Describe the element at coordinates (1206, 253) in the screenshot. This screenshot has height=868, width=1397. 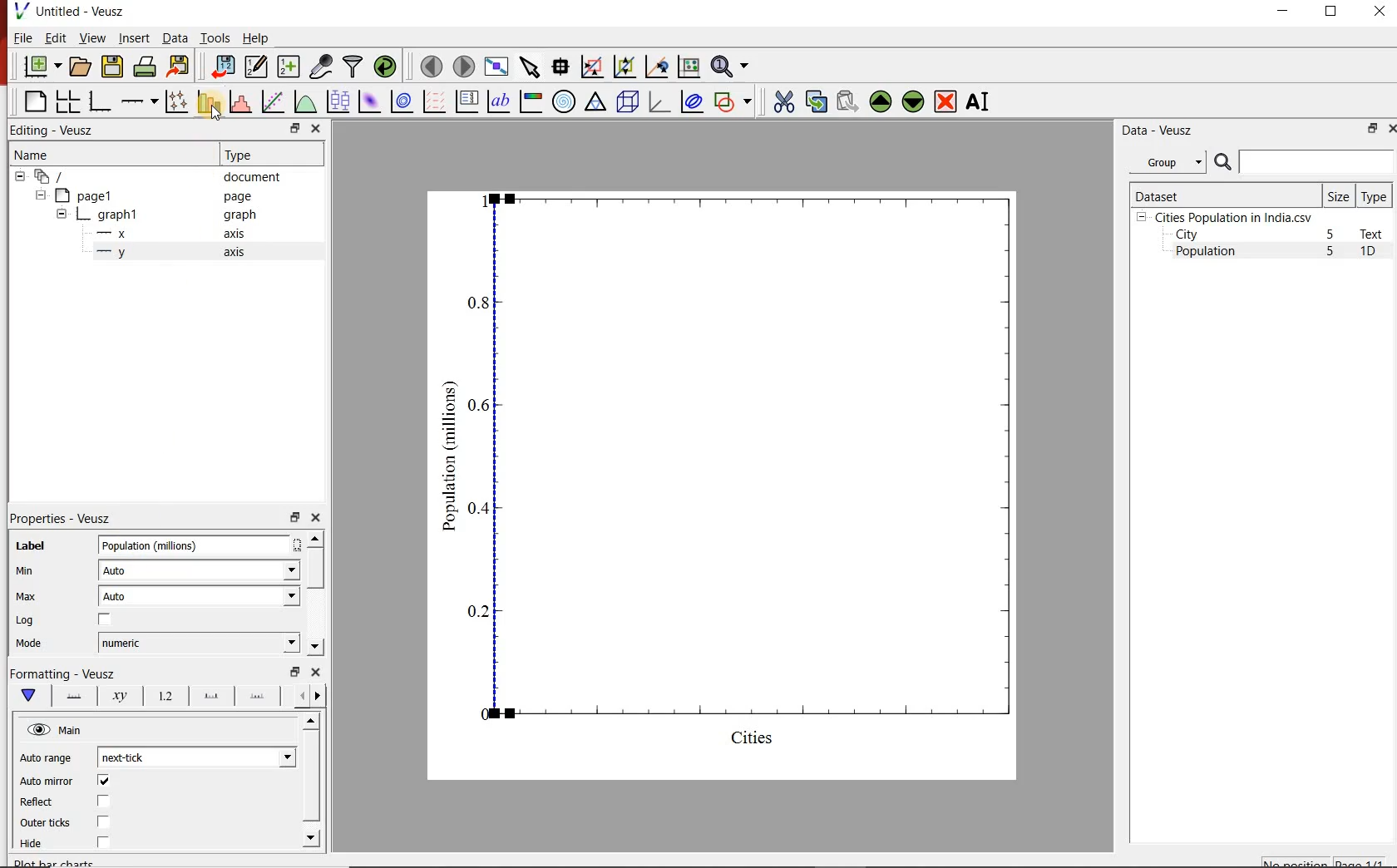
I see `Population` at that location.